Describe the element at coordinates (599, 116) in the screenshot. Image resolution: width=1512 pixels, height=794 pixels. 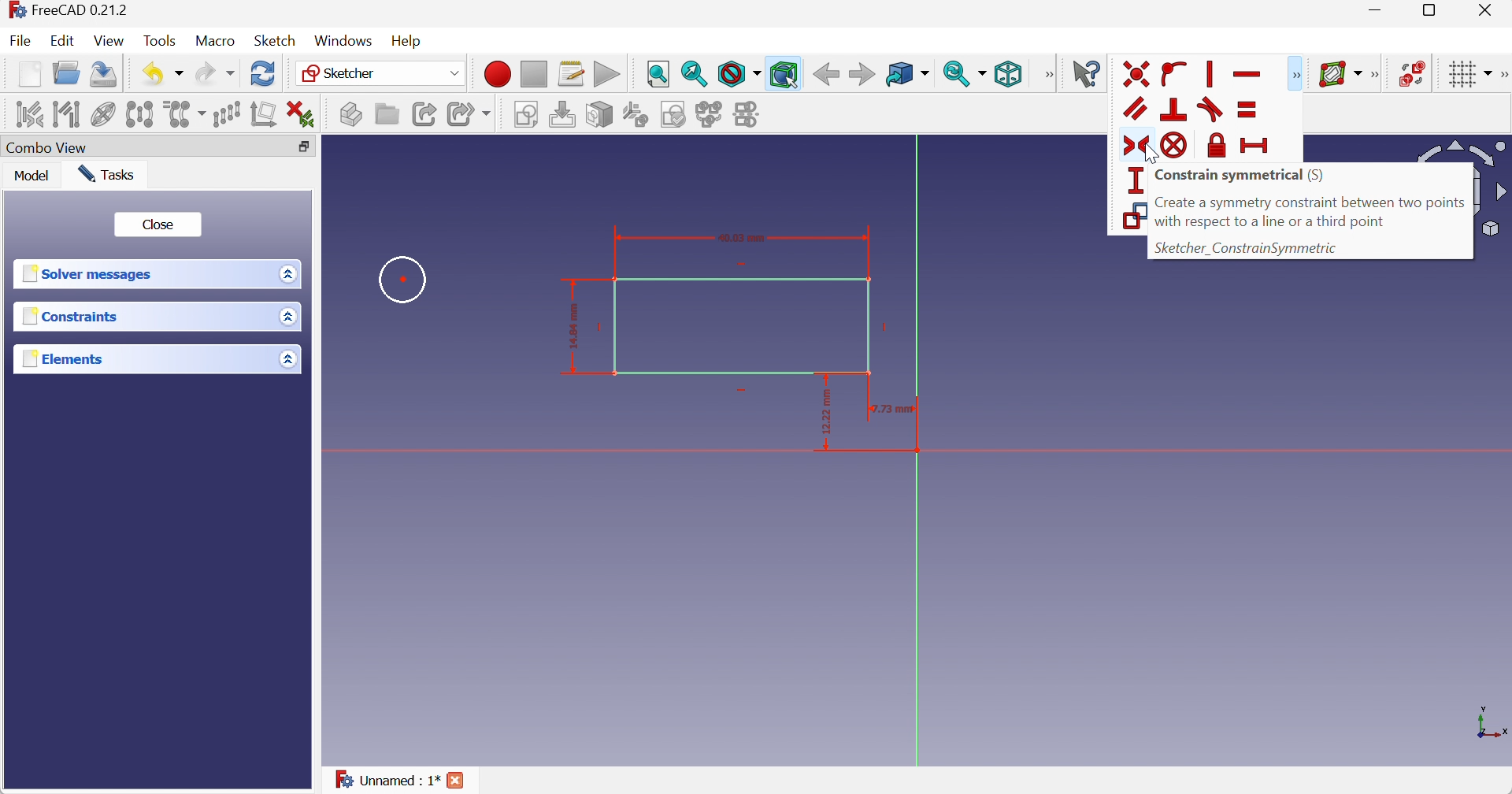
I see `Map sketch to face...` at that location.